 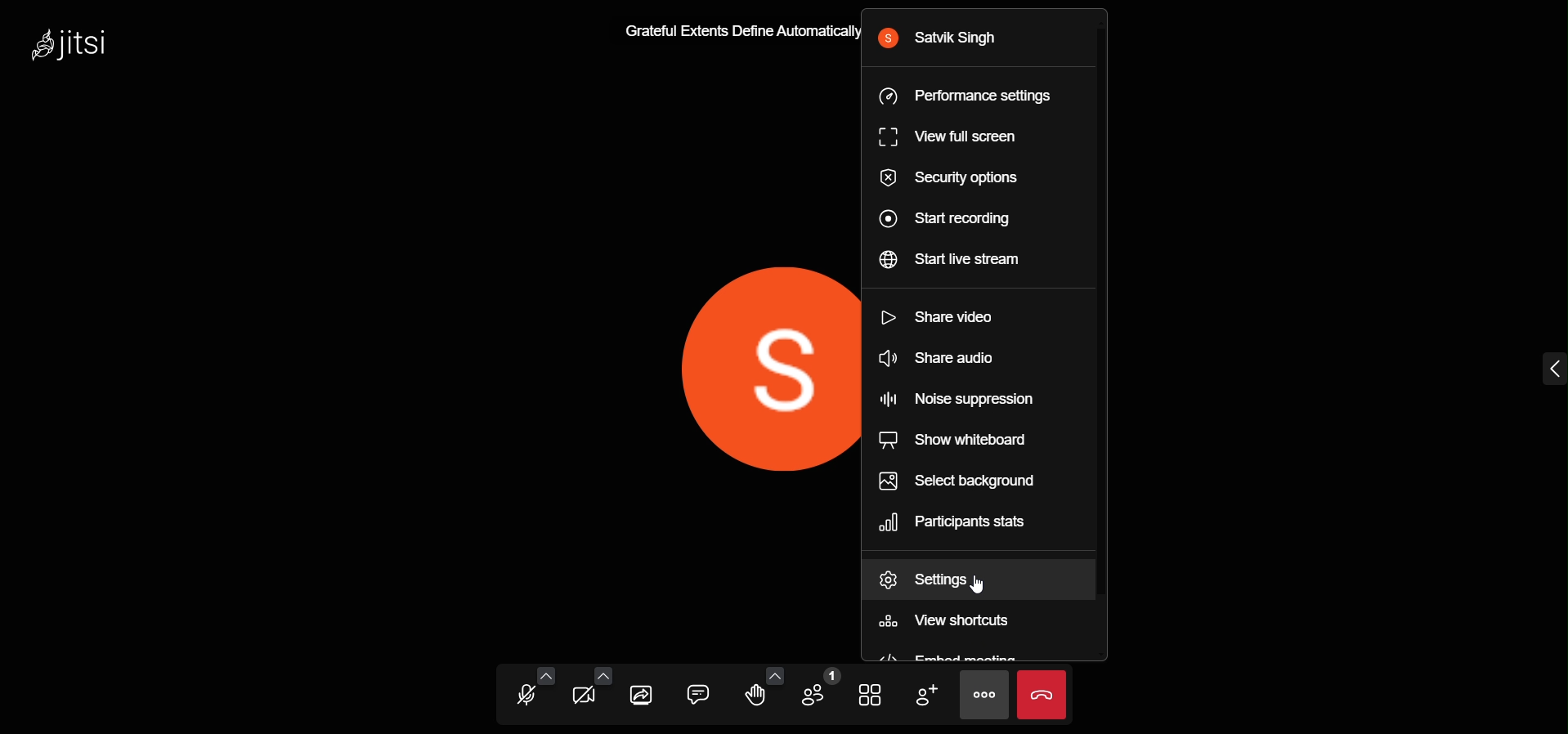 What do you see at coordinates (961, 482) in the screenshot?
I see `select background` at bounding box center [961, 482].